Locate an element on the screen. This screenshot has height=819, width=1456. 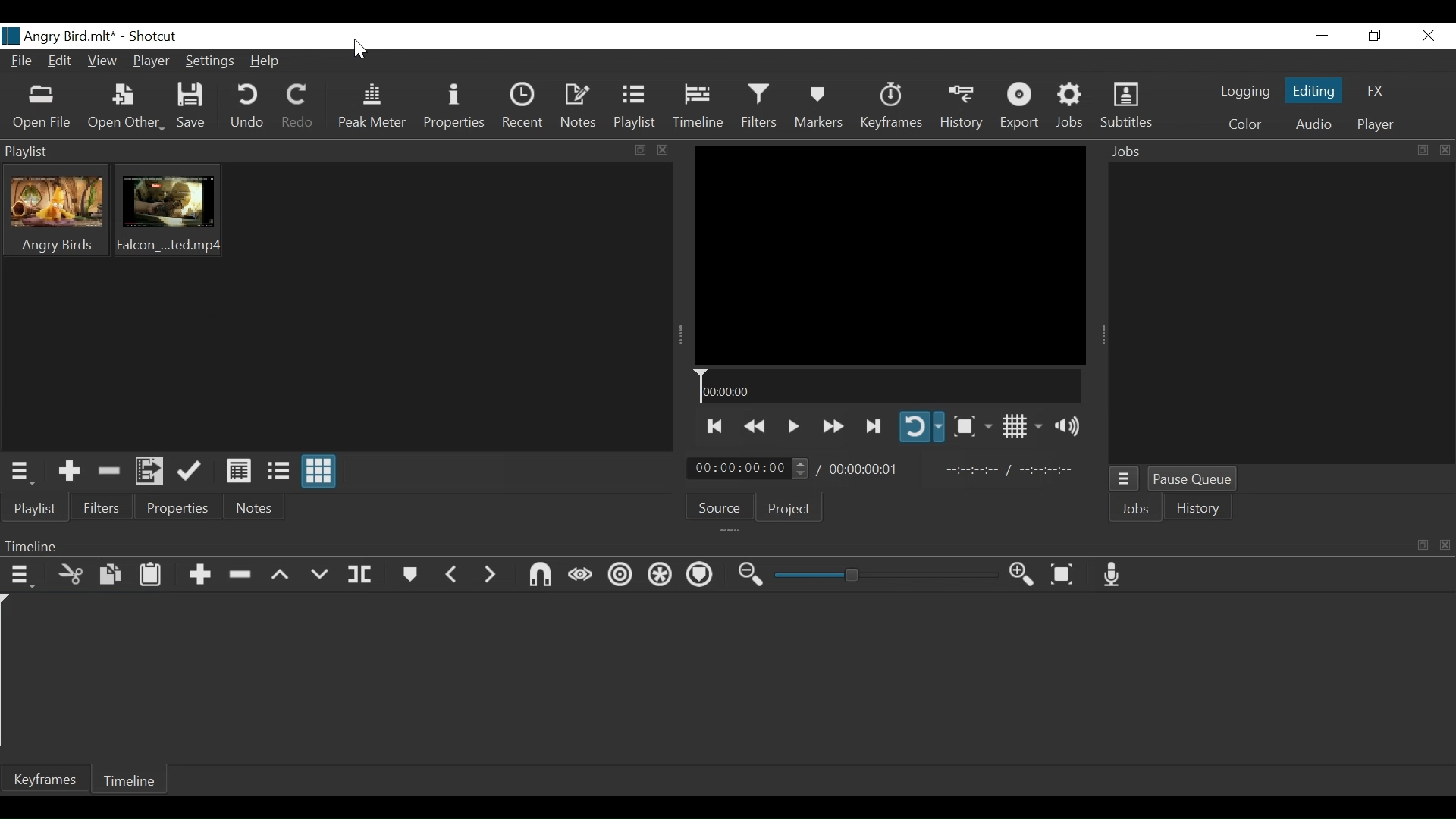
close is located at coordinates (1446, 150).